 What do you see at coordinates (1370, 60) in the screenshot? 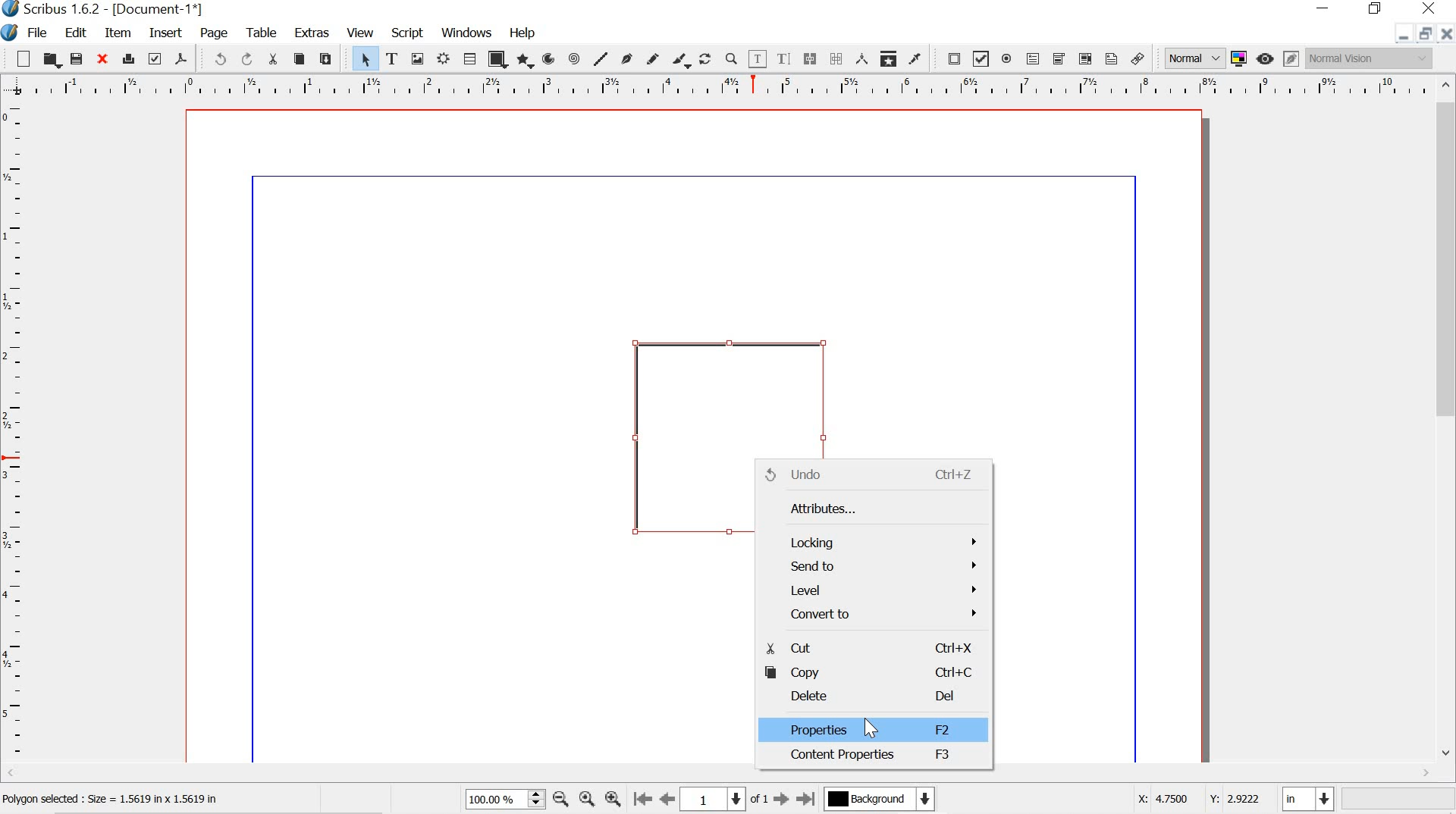
I see `normal vision` at bounding box center [1370, 60].